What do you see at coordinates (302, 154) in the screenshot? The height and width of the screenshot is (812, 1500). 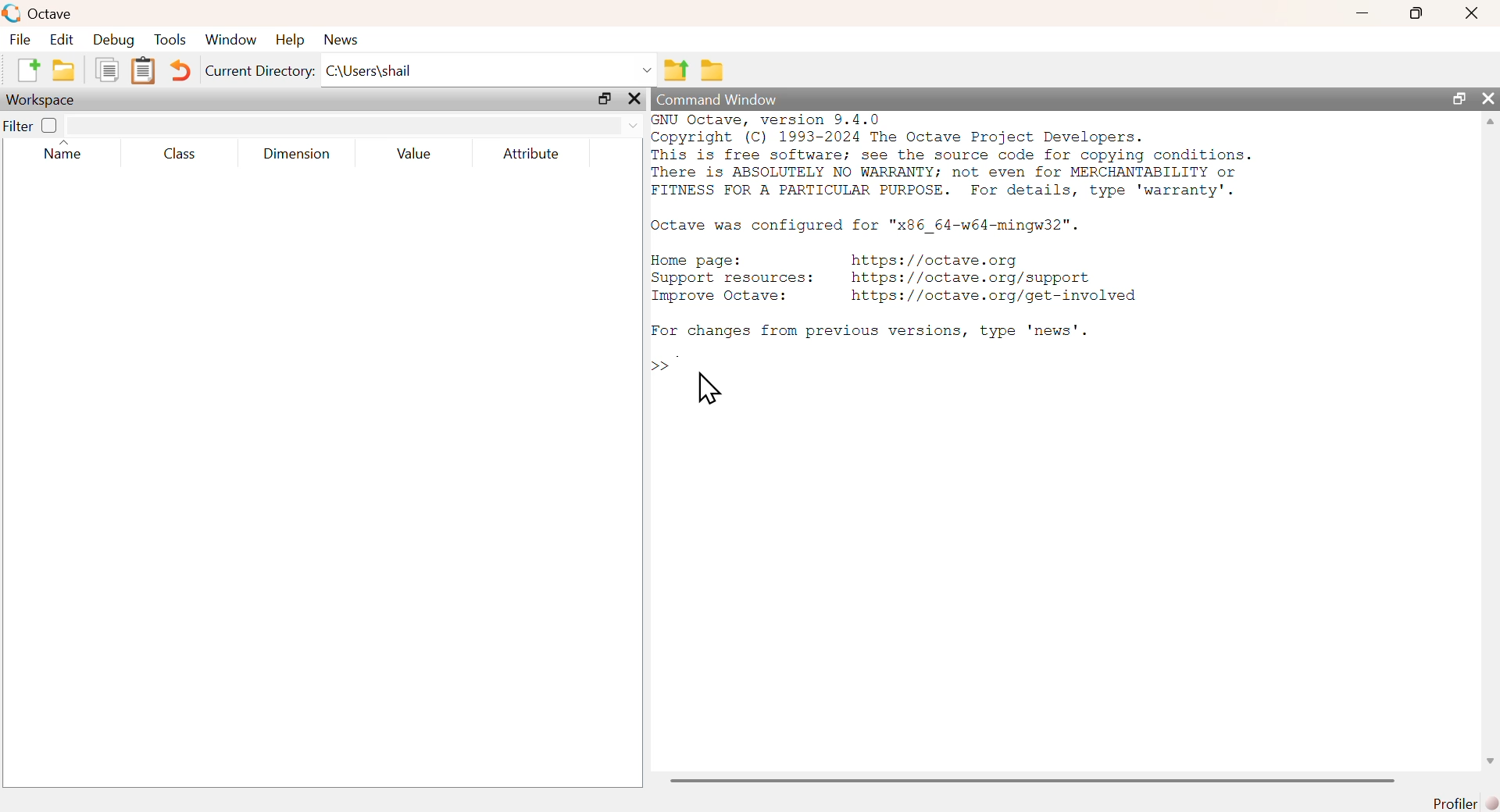 I see `Dimension` at bounding box center [302, 154].